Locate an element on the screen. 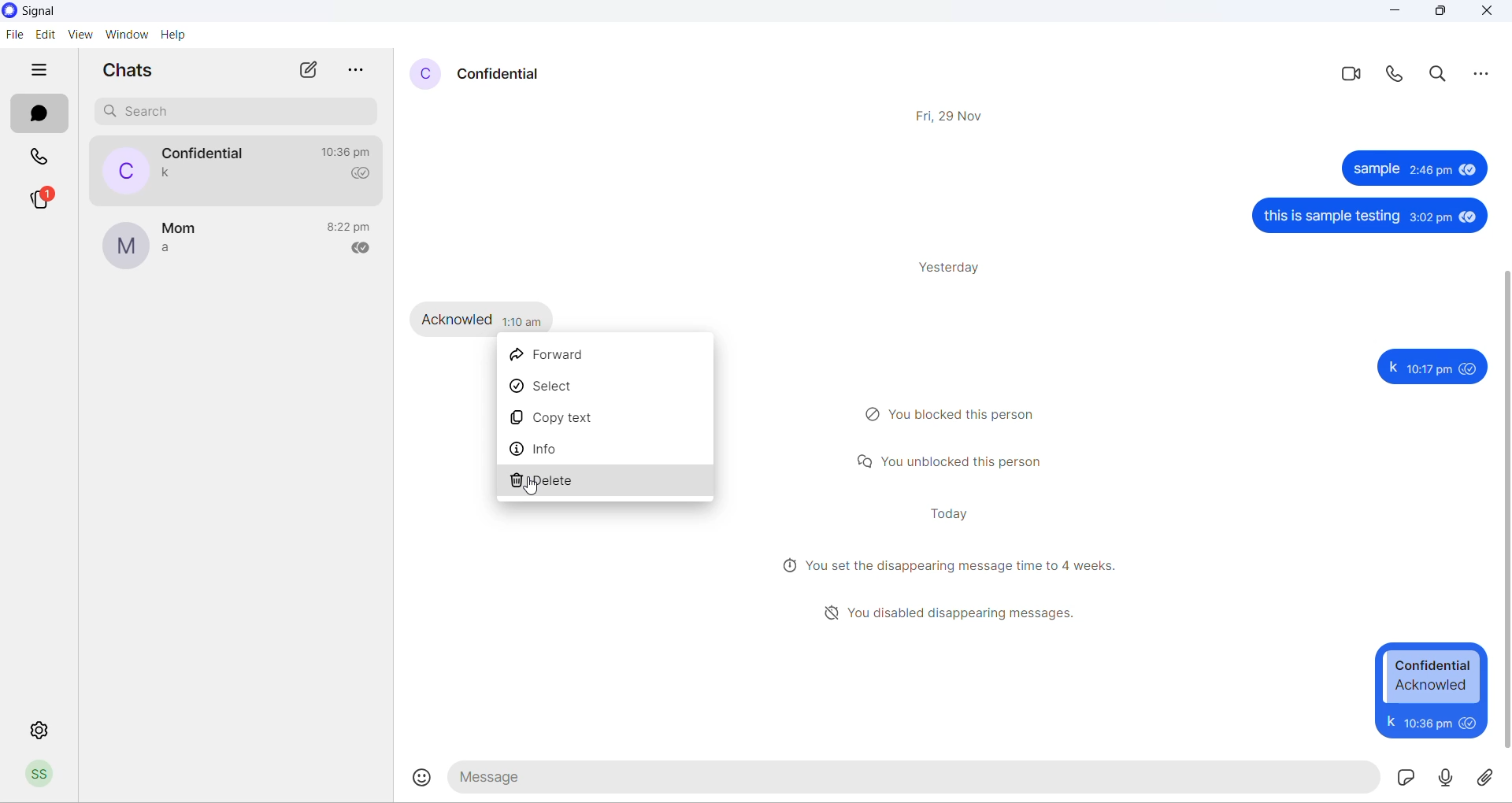  profile picture is located at coordinates (126, 170).